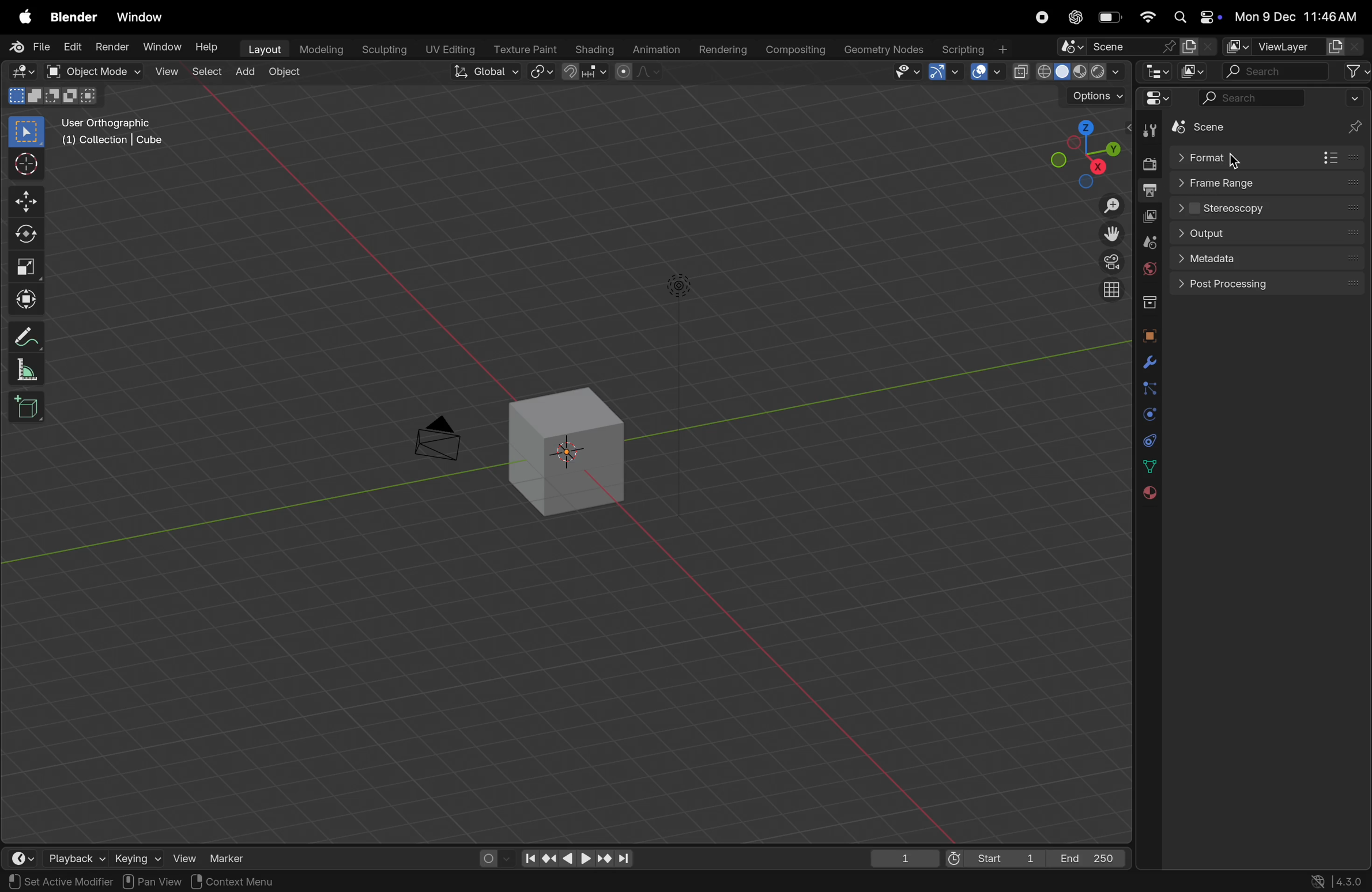 This screenshot has height=892, width=1372. I want to click on modes, so click(58, 95).